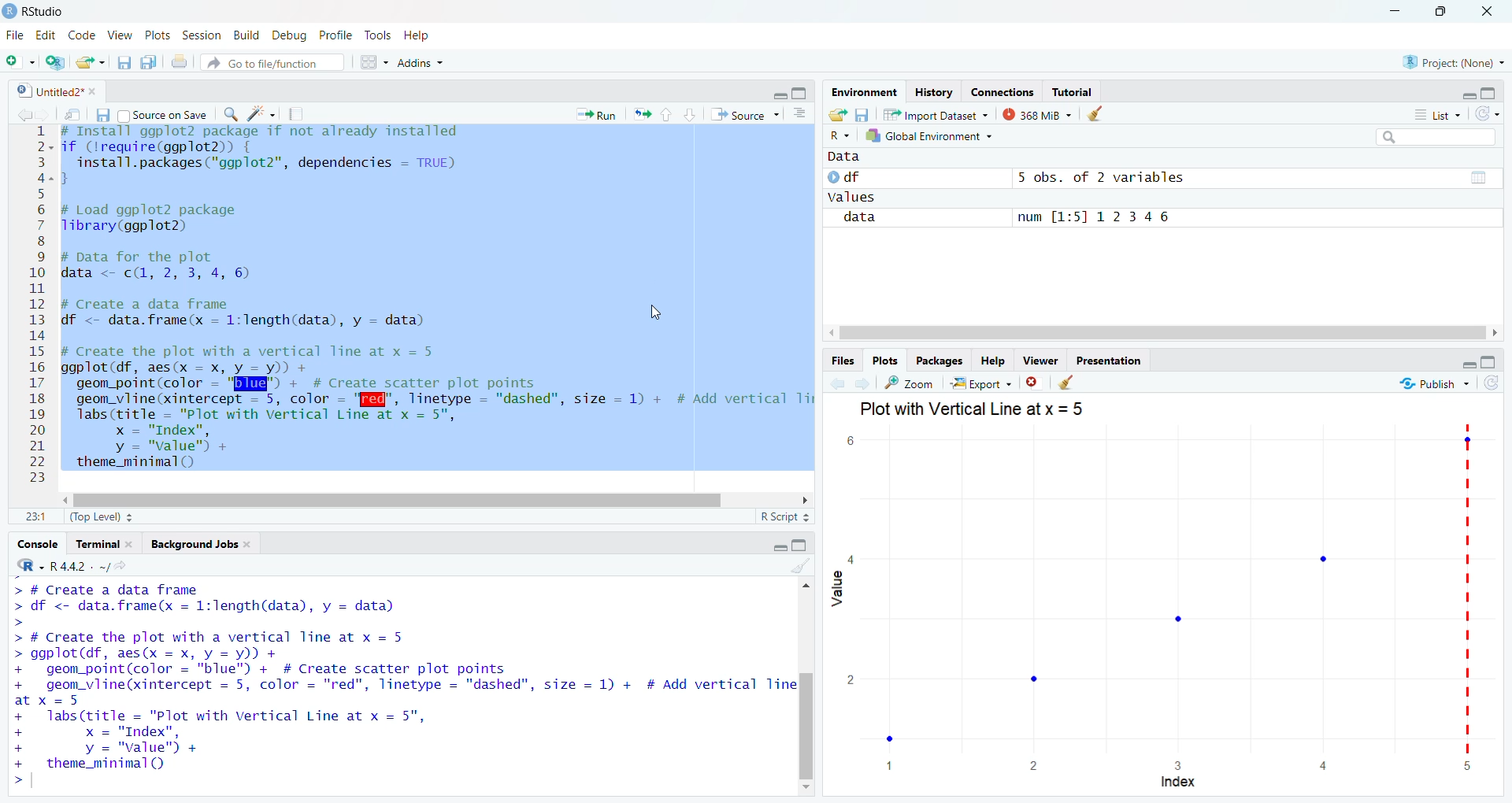 The height and width of the screenshot is (803, 1512). Describe the element at coordinates (159, 37) in the screenshot. I see `v Plots` at that location.